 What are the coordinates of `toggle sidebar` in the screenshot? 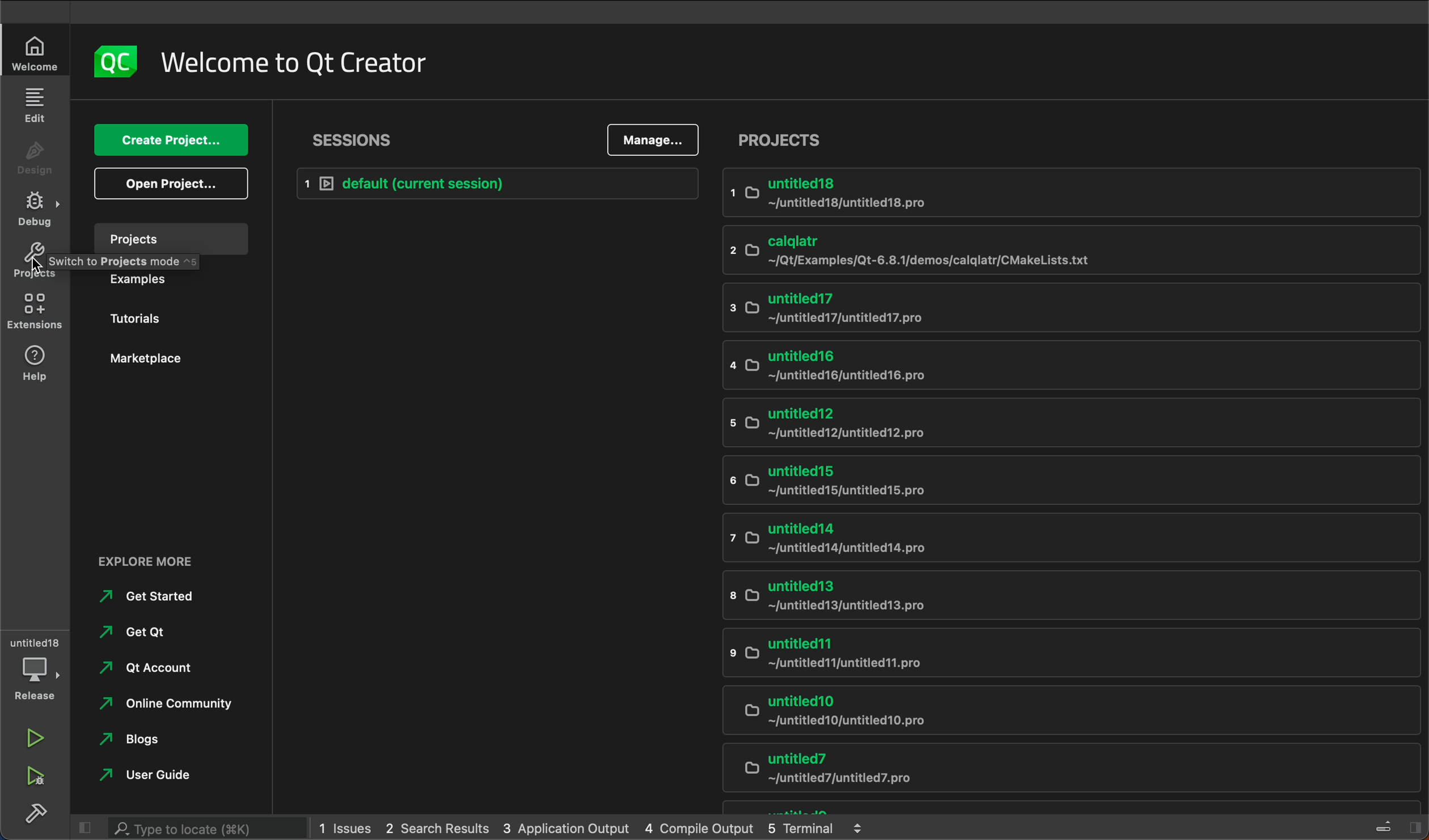 It's located at (1394, 824).